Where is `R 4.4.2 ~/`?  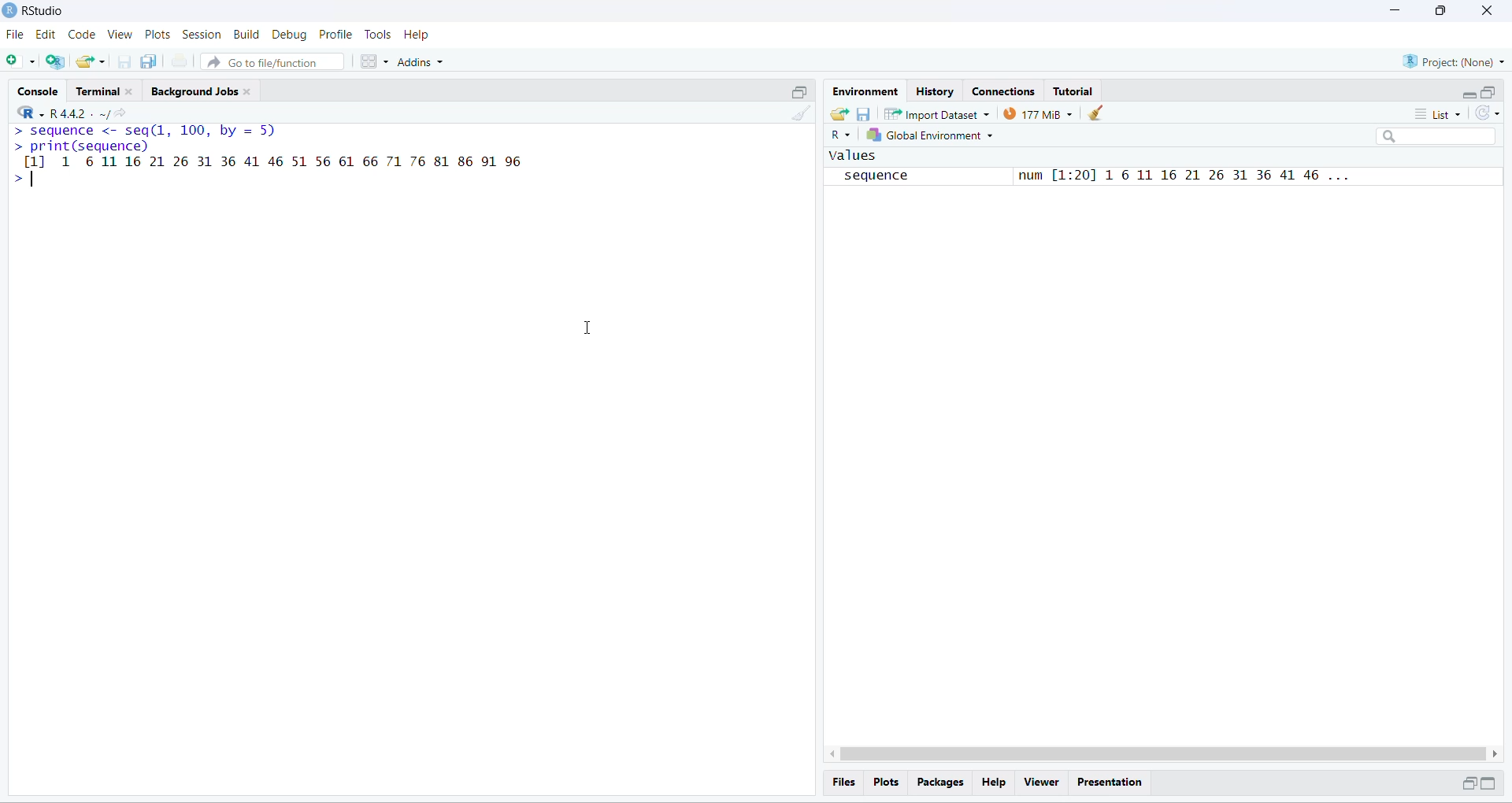 R 4.4.2 ~/ is located at coordinates (79, 114).